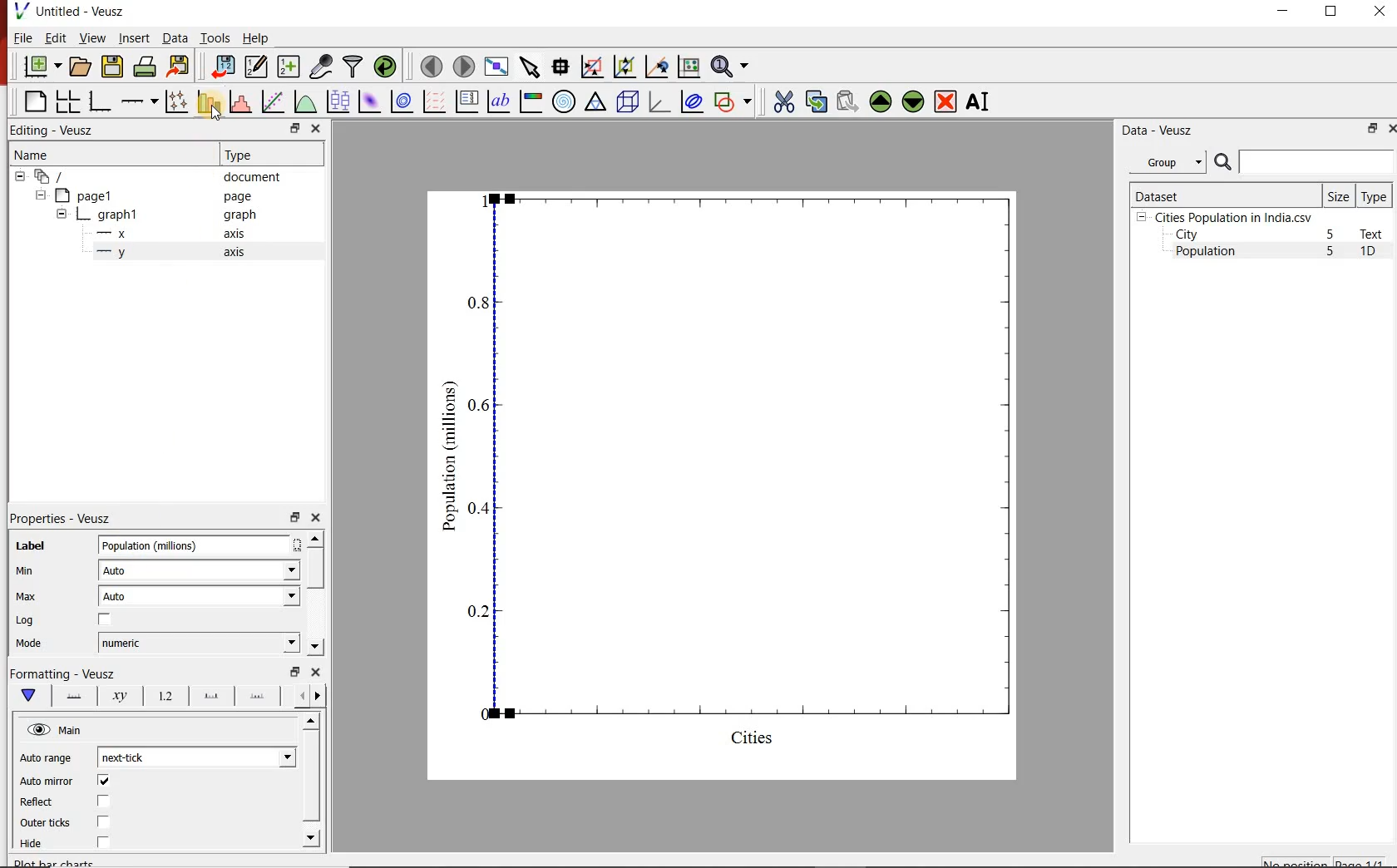 The width and height of the screenshot is (1397, 868). Describe the element at coordinates (1154, 130) in the screenshot. I see `Data - Veusz` at that location.